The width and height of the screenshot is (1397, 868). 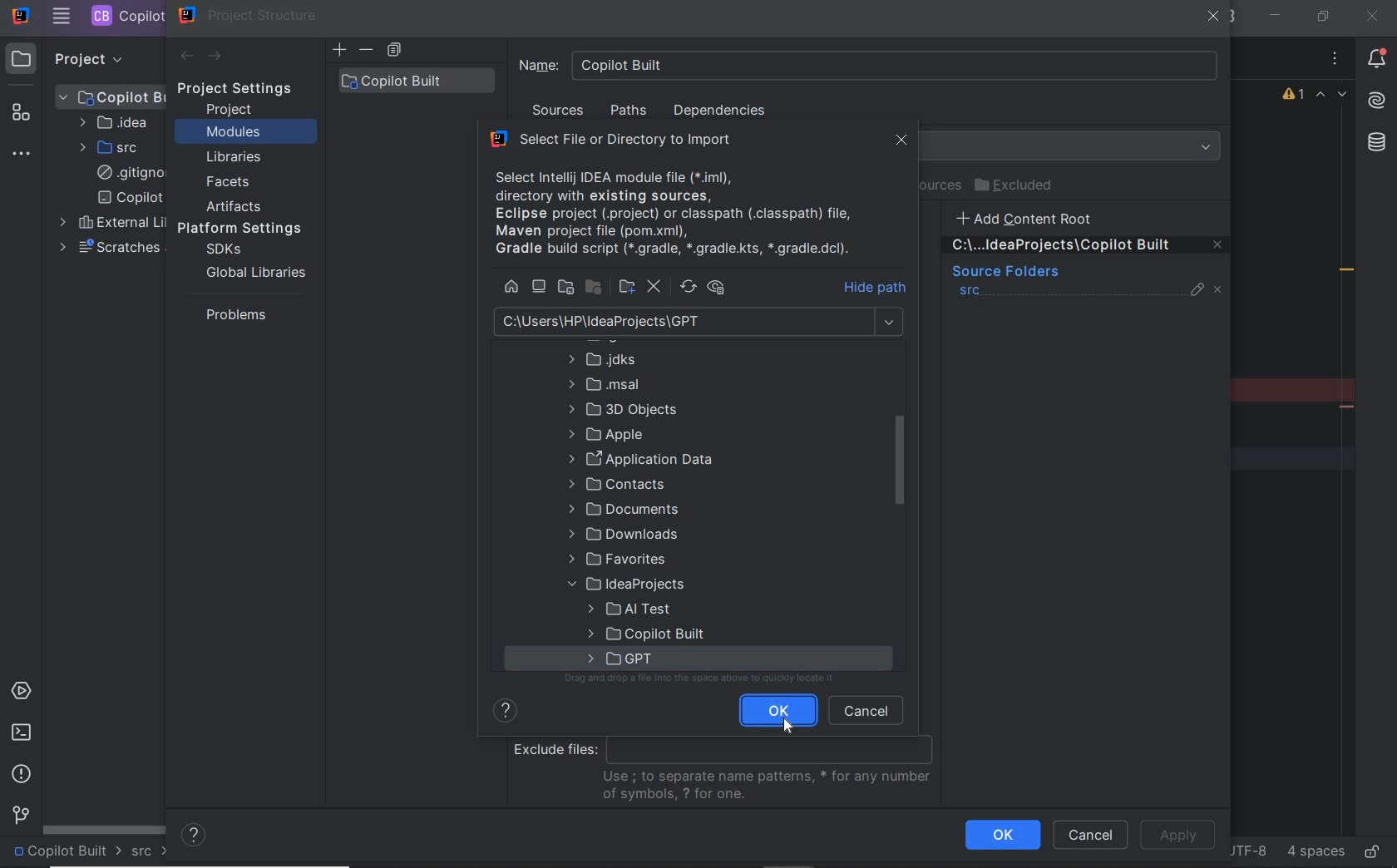 I want to click on module directory, so click(x=596, y=289).